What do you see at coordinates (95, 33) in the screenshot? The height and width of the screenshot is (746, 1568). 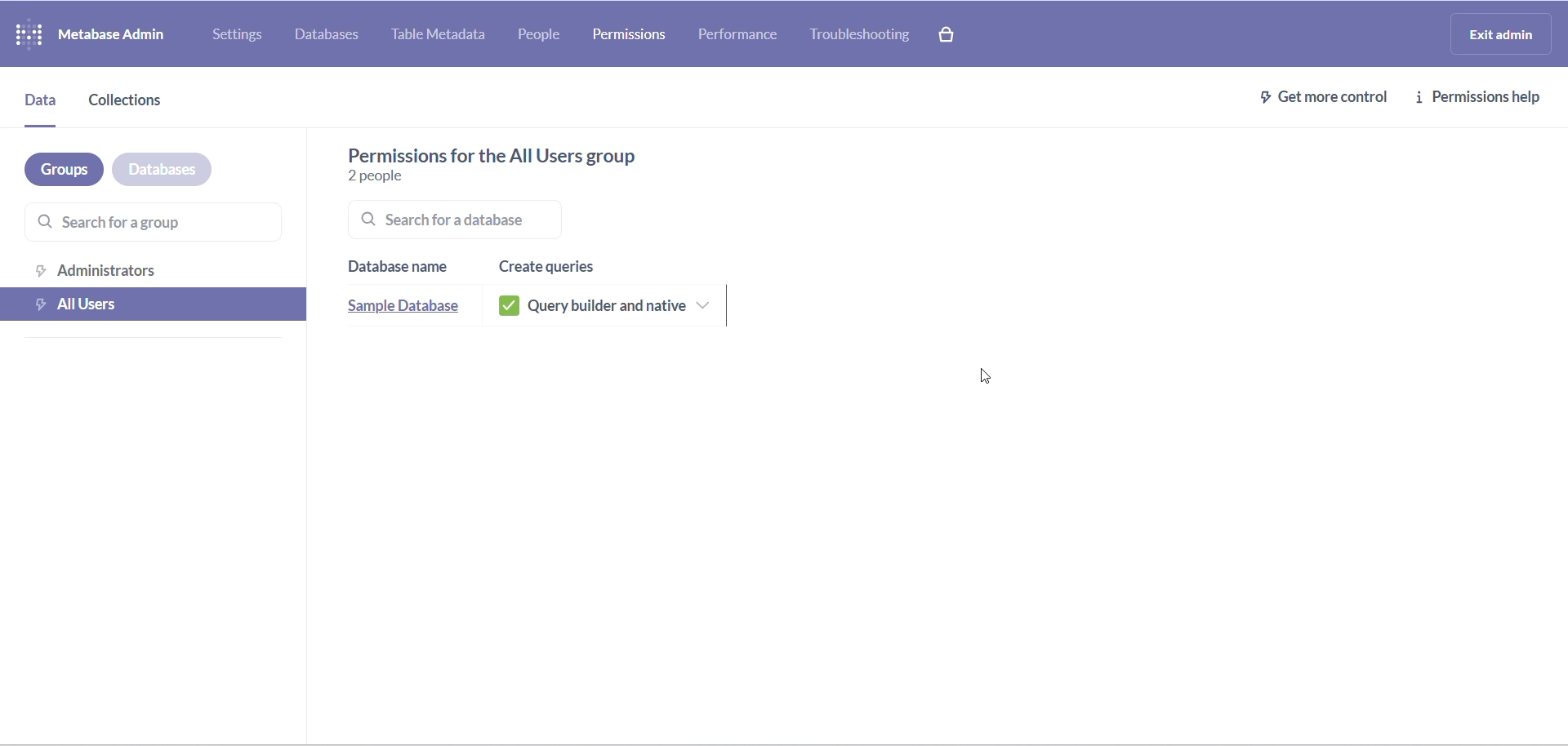 I see `logo and name` at bounding box center [95, 33].